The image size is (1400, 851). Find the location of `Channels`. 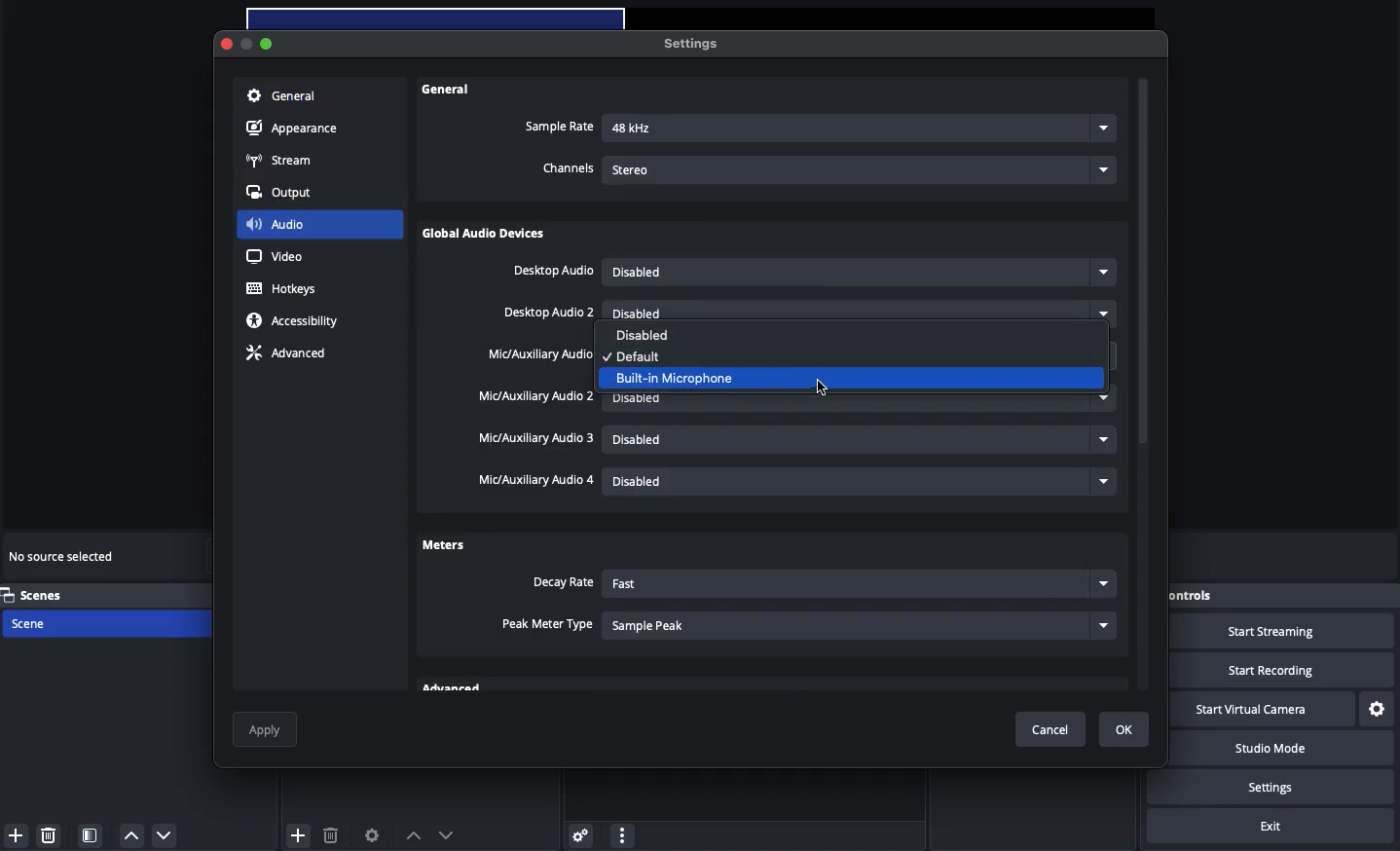

Channels is located at coordinates (569, 169).